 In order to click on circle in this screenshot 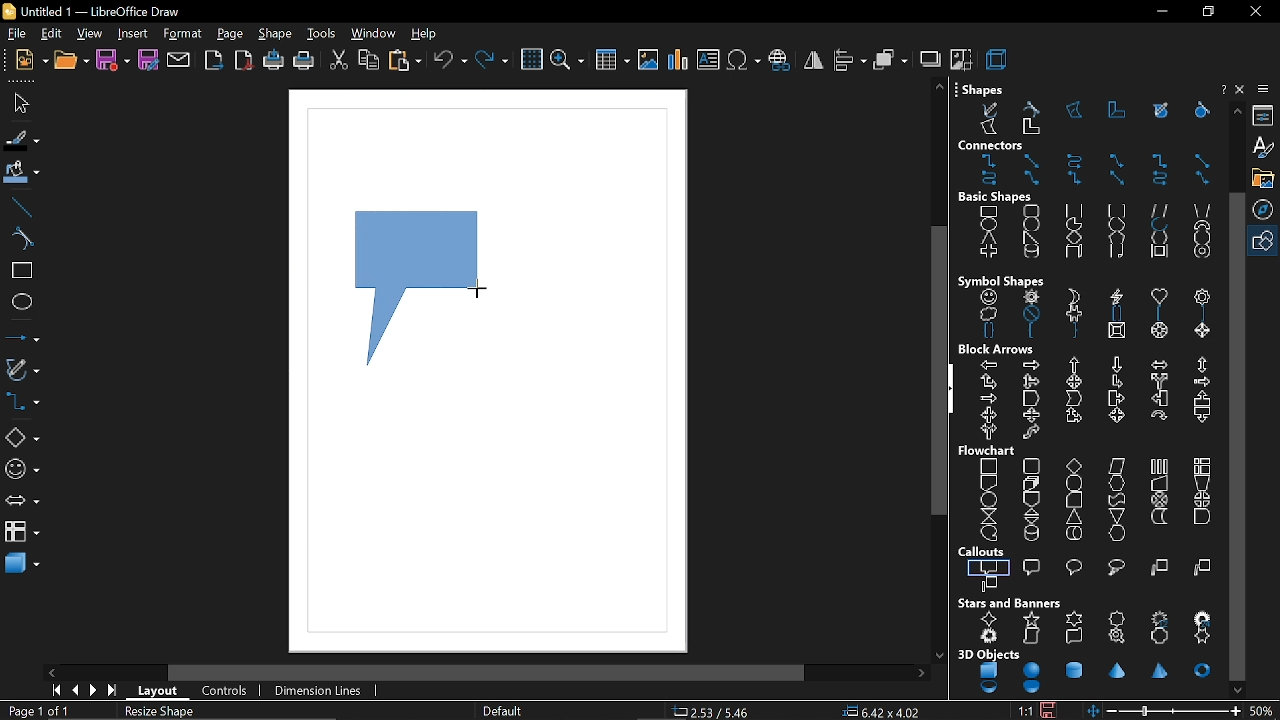, I will do `click(1032, 224)`.